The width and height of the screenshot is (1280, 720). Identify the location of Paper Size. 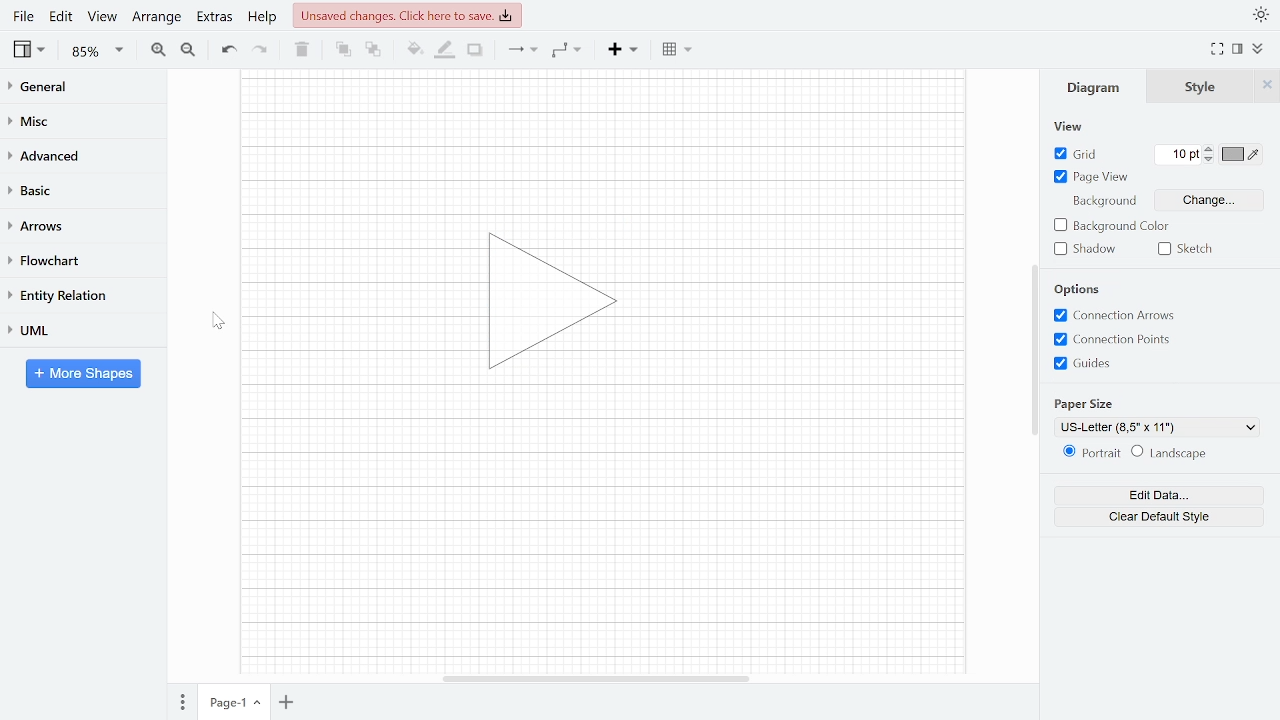
(1085, 403).